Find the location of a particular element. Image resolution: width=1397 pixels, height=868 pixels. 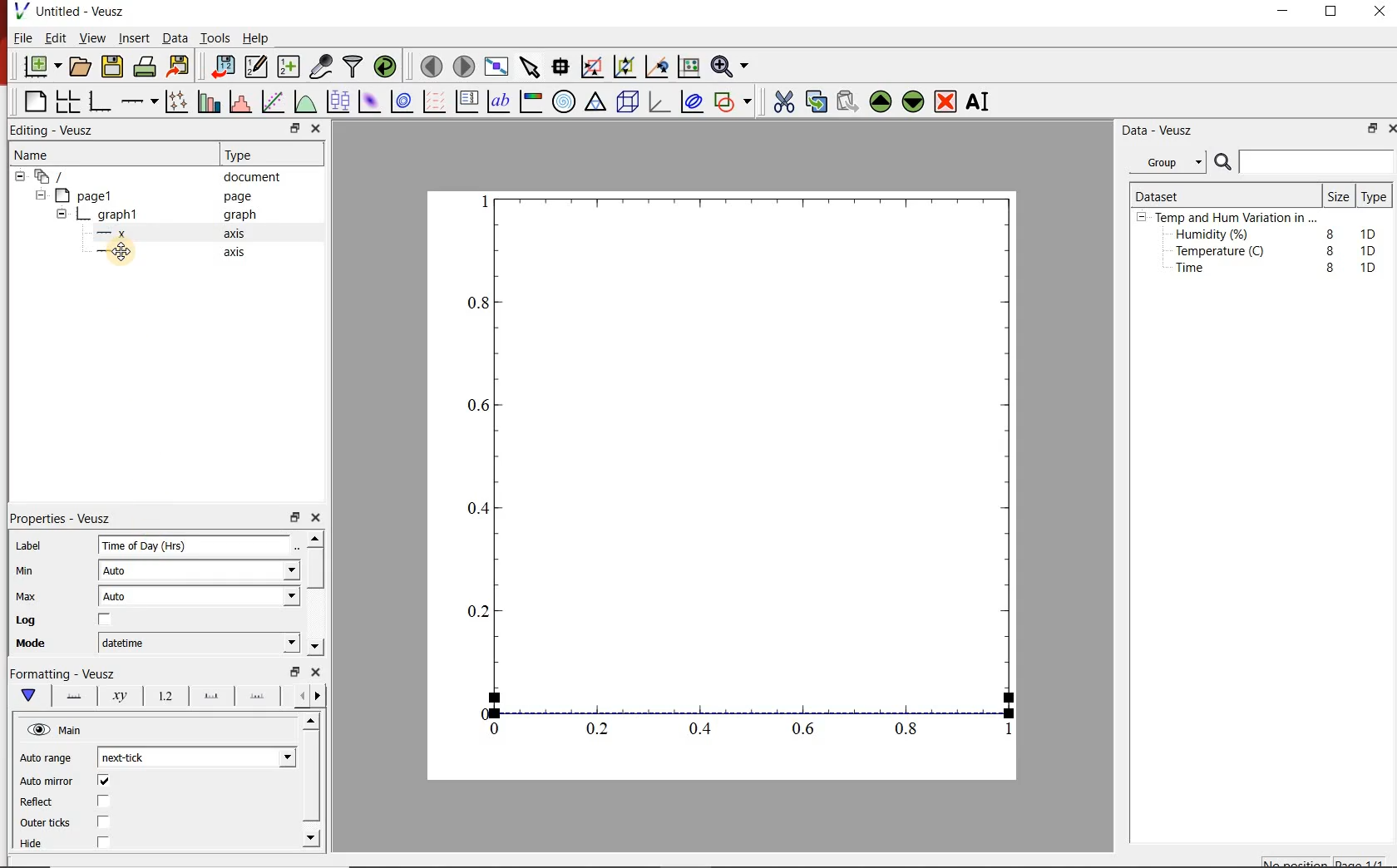

No position is located at coordinates (1296, 862).